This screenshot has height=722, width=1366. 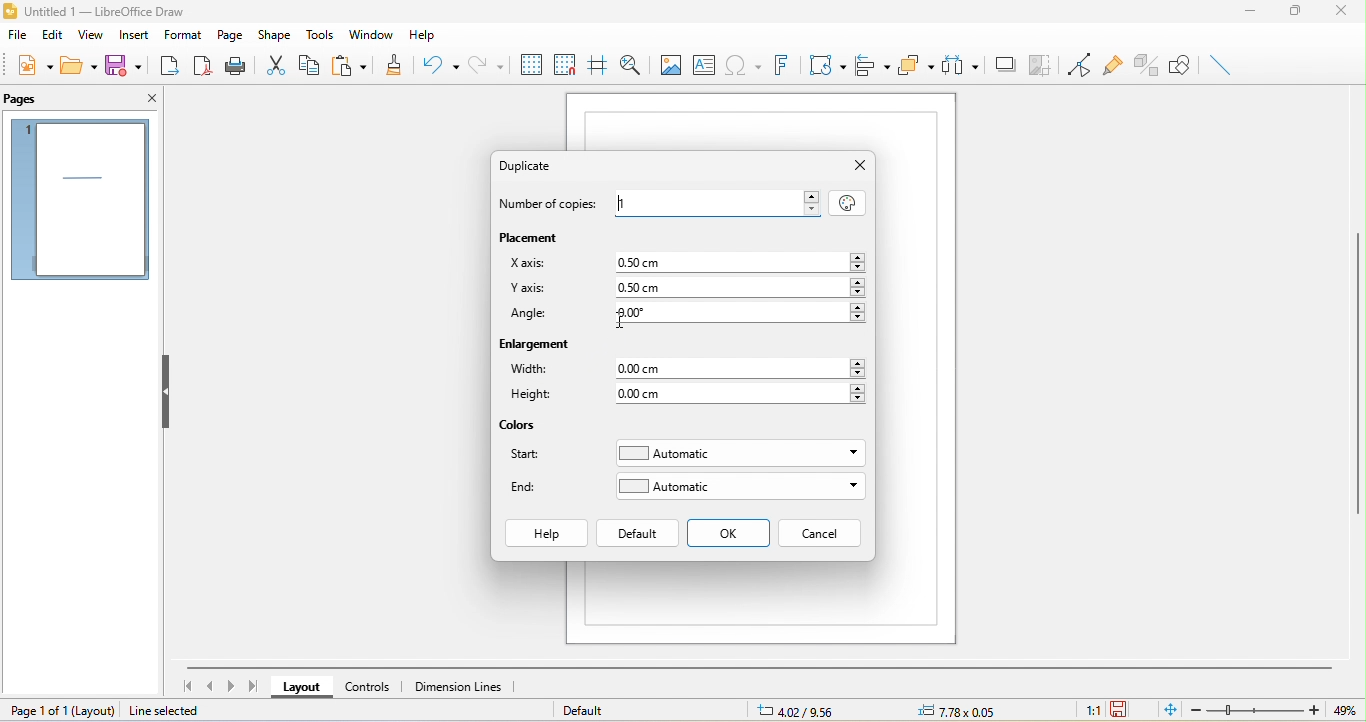 What do you see at coordinates (81, 66) in the screenshot?
I see `open` at bounding box center [81, 66].